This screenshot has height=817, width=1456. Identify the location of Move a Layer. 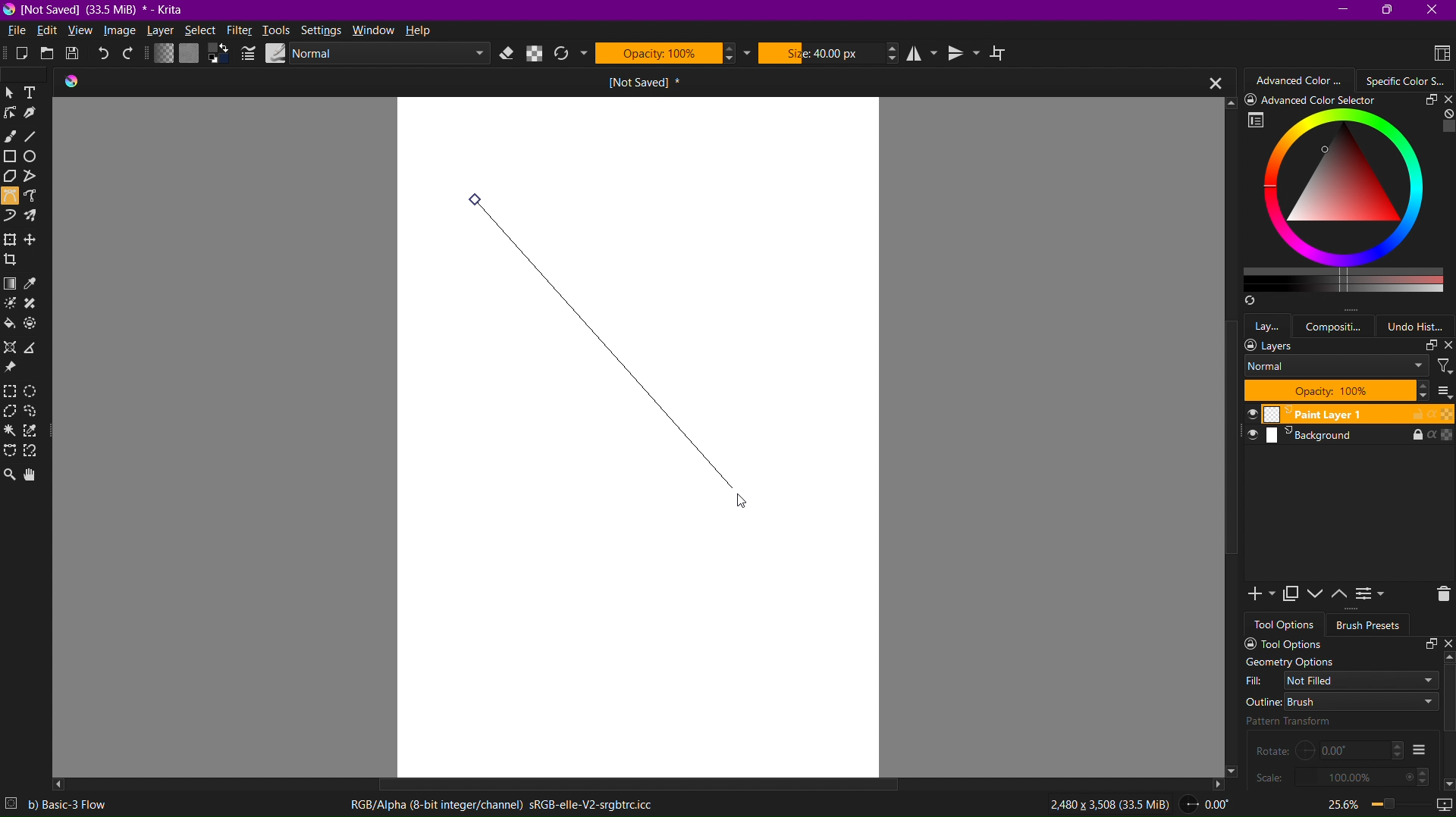
(35, 240).